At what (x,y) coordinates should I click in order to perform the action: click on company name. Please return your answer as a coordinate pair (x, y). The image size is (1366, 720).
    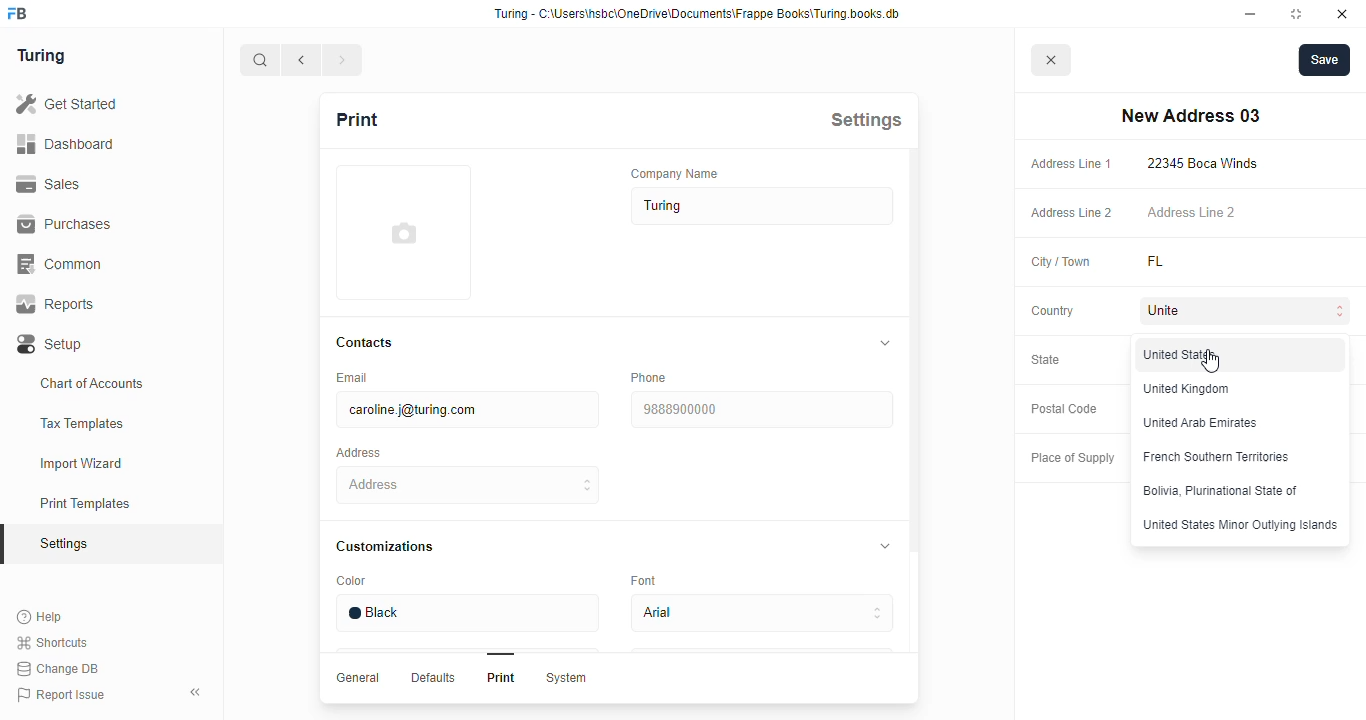
    Looking at the image, I should click on (675, 173).